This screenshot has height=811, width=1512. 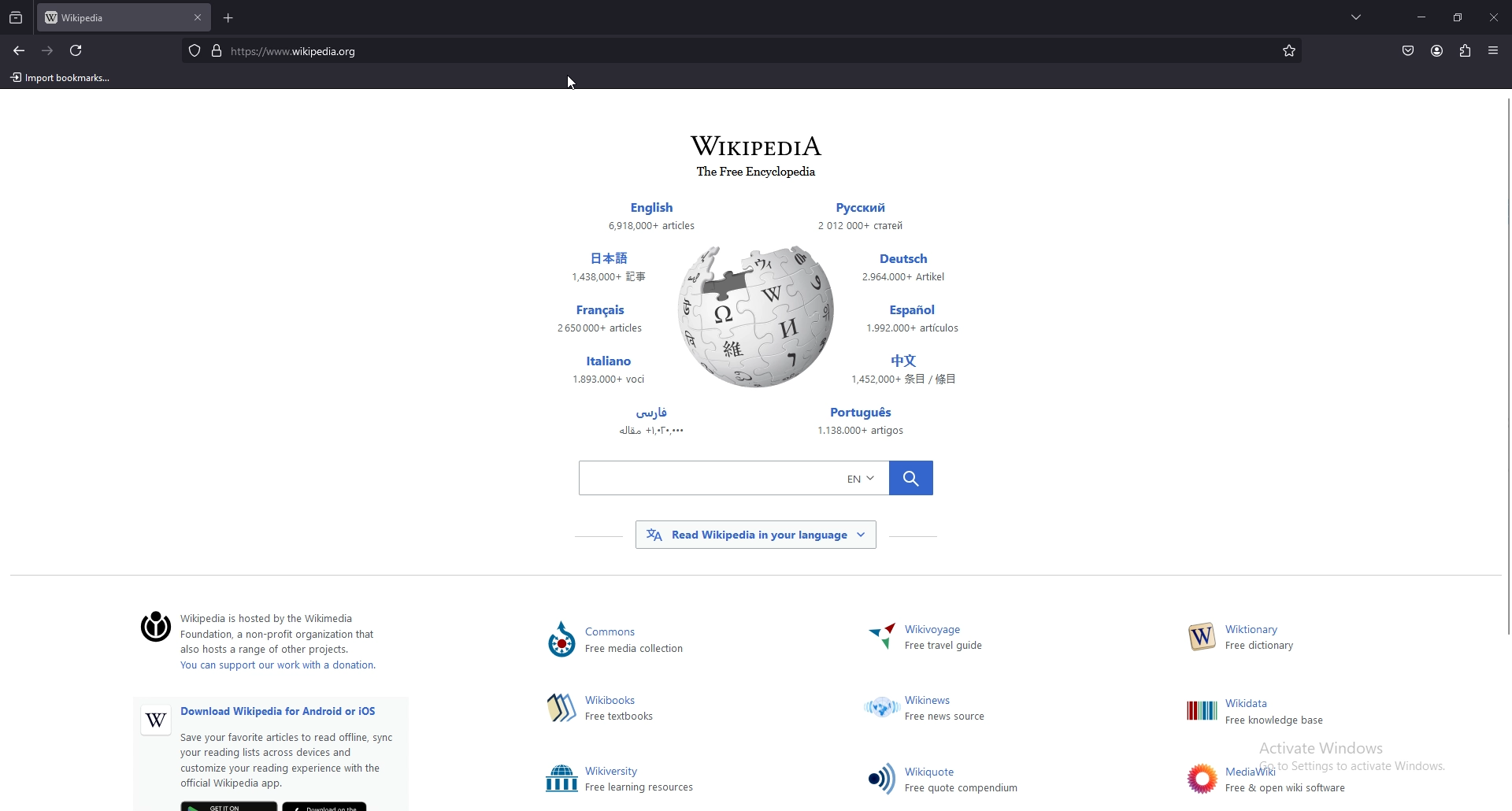 What do you see at coordinates (609, 371) in the screenshot?
I see `` at bounding box center [609, 371].